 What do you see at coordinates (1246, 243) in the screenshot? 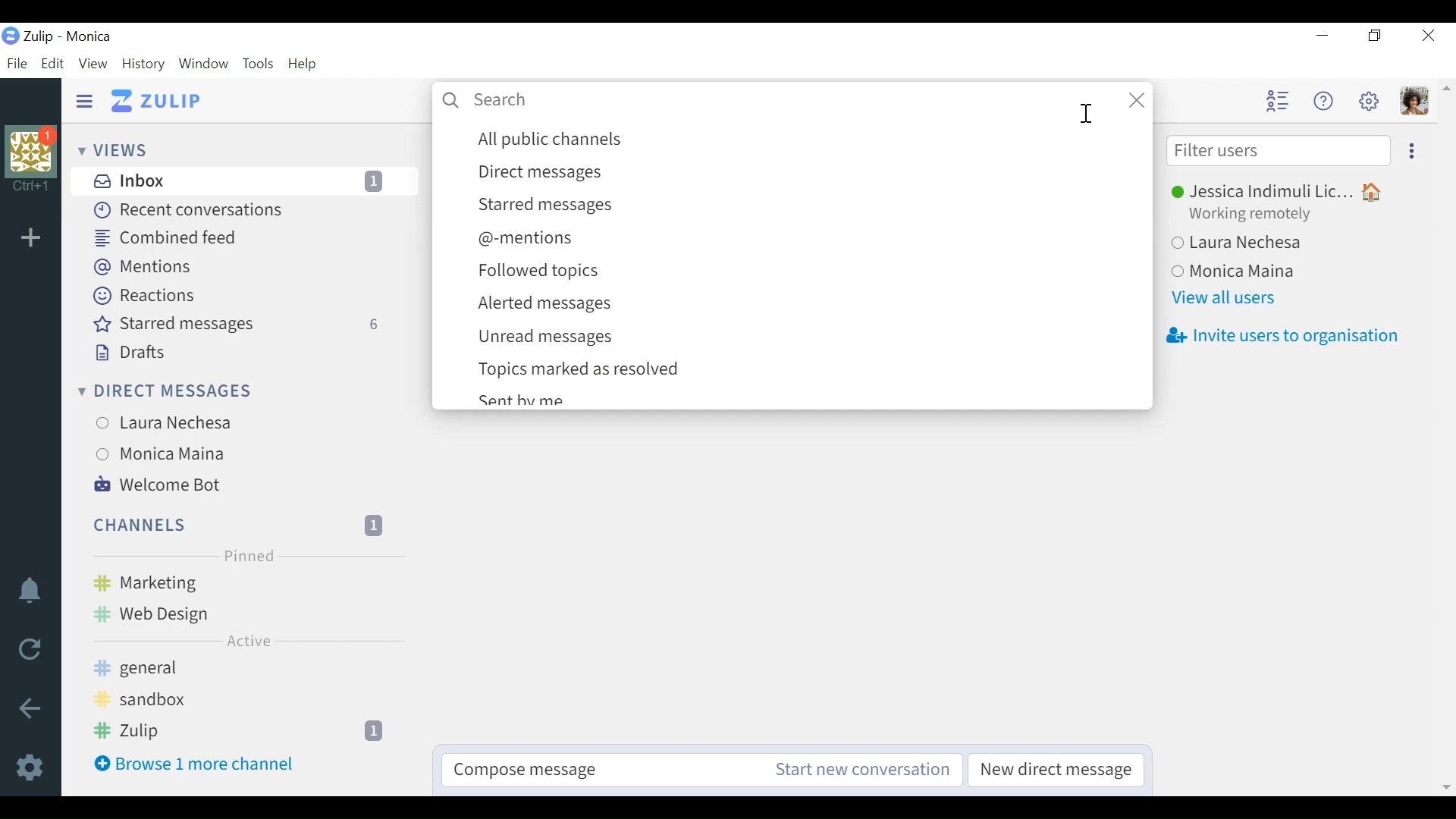
I see `Laura Nechesa` at bounding box center [1246, 243].